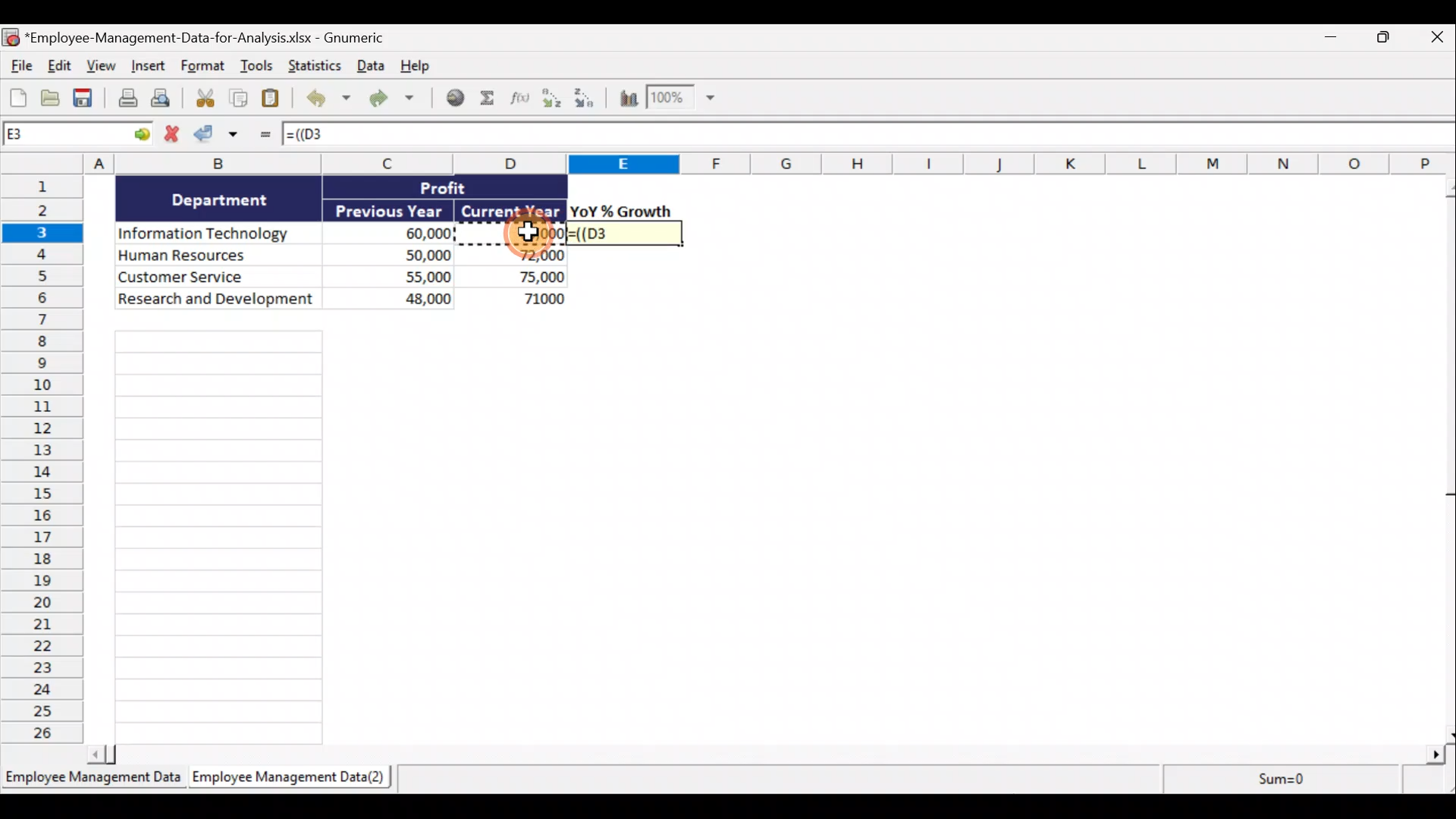 The width and height of the screenshot is (1456, 819). Describe the element at coordinates (79, 136) in the screenshot. I see `Cell allocation` at that location.